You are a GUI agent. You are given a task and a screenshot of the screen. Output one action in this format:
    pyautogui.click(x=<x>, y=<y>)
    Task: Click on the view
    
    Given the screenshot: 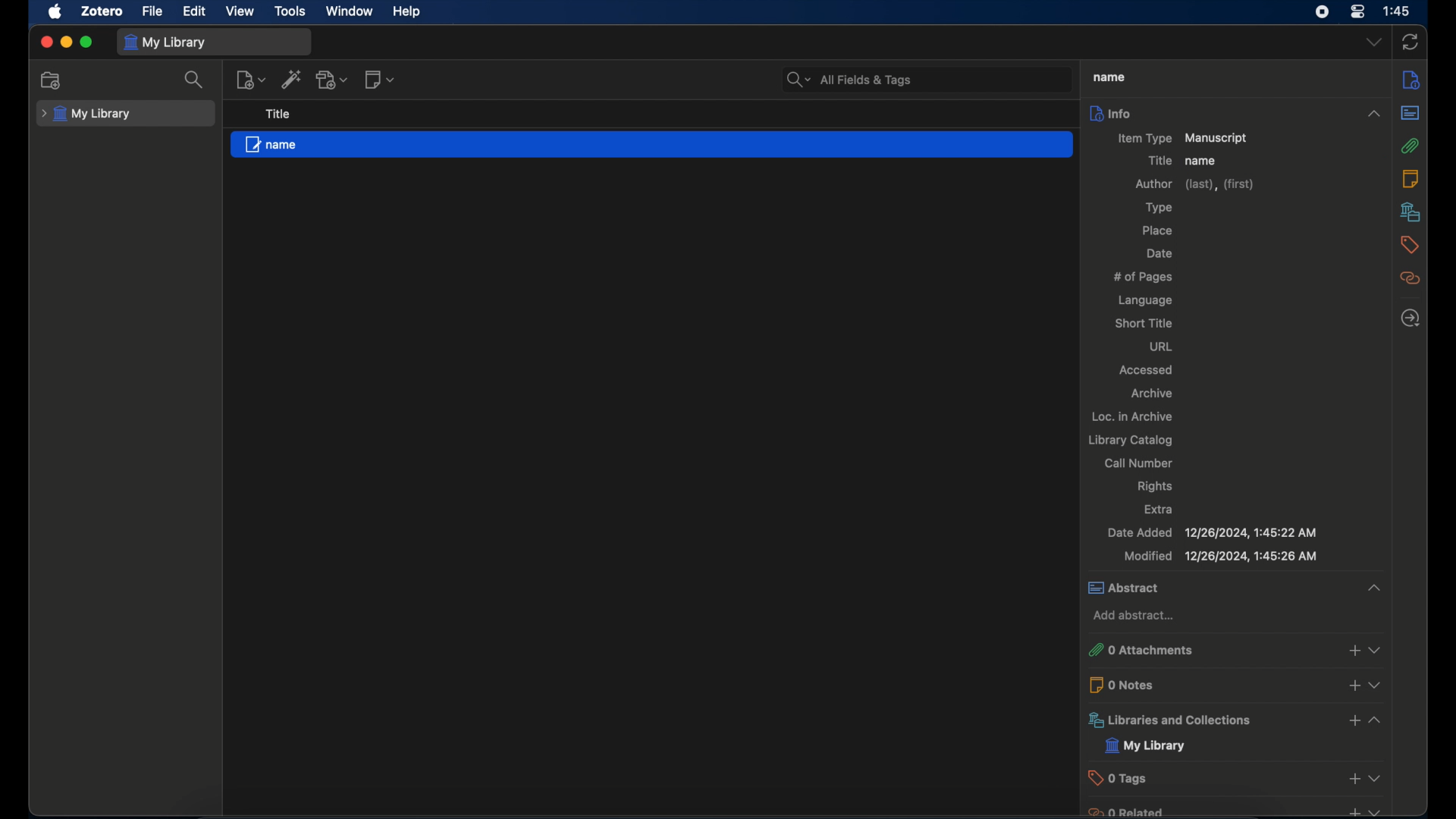 What is the action you would take?
    pyautogui.click(x=241, y=11)
    